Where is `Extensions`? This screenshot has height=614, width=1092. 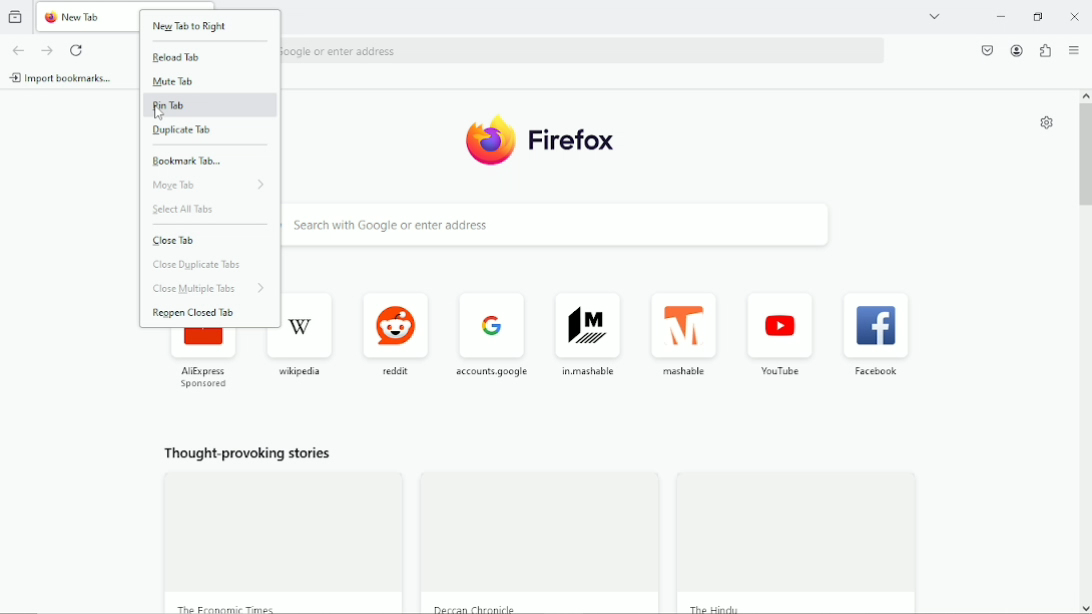 Extensions is located at coordinates (1045, 52).